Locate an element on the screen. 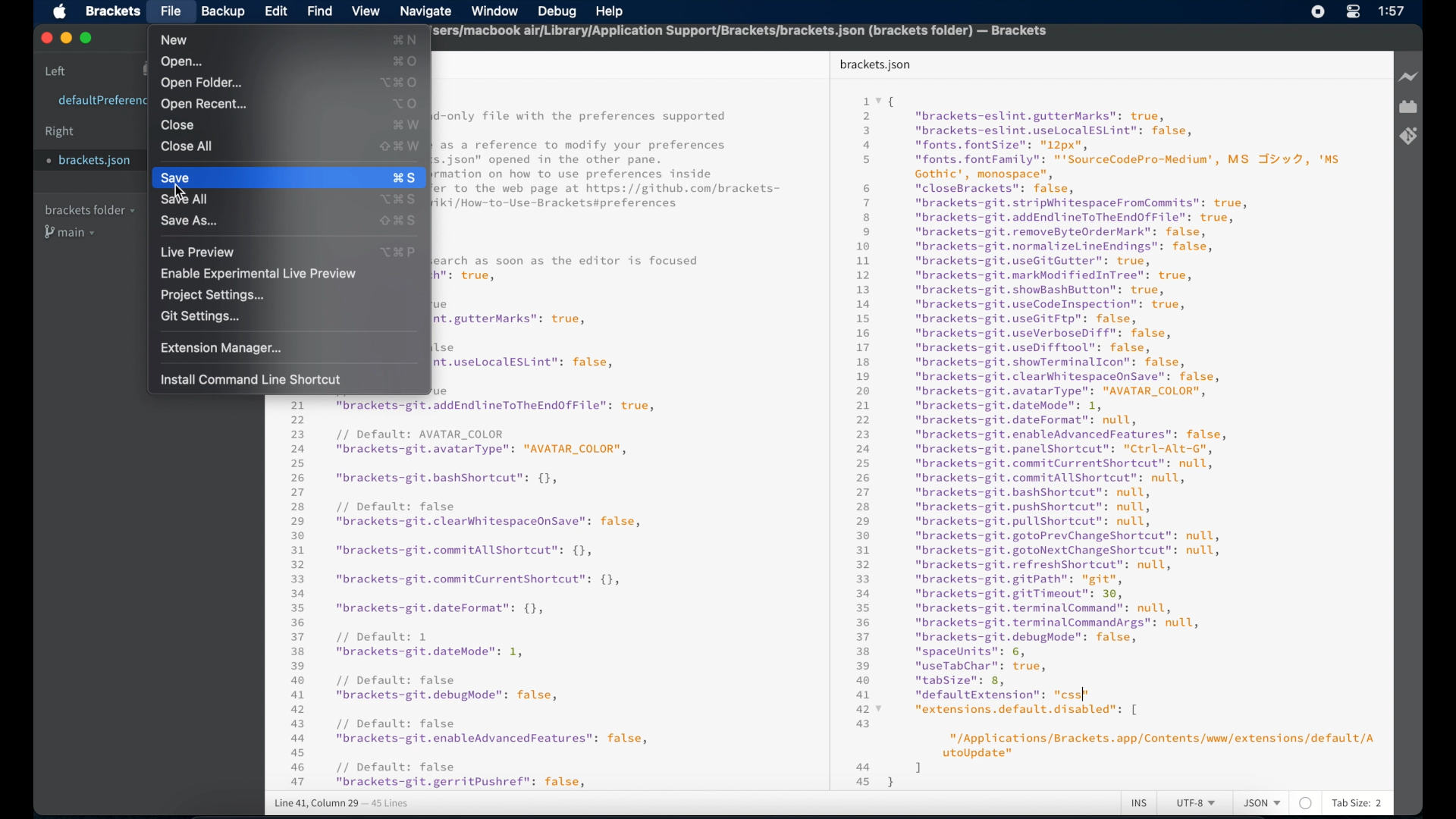 The width and height of the screenshot is (1456, 819). apple icon is located at coordinates (59, 12).